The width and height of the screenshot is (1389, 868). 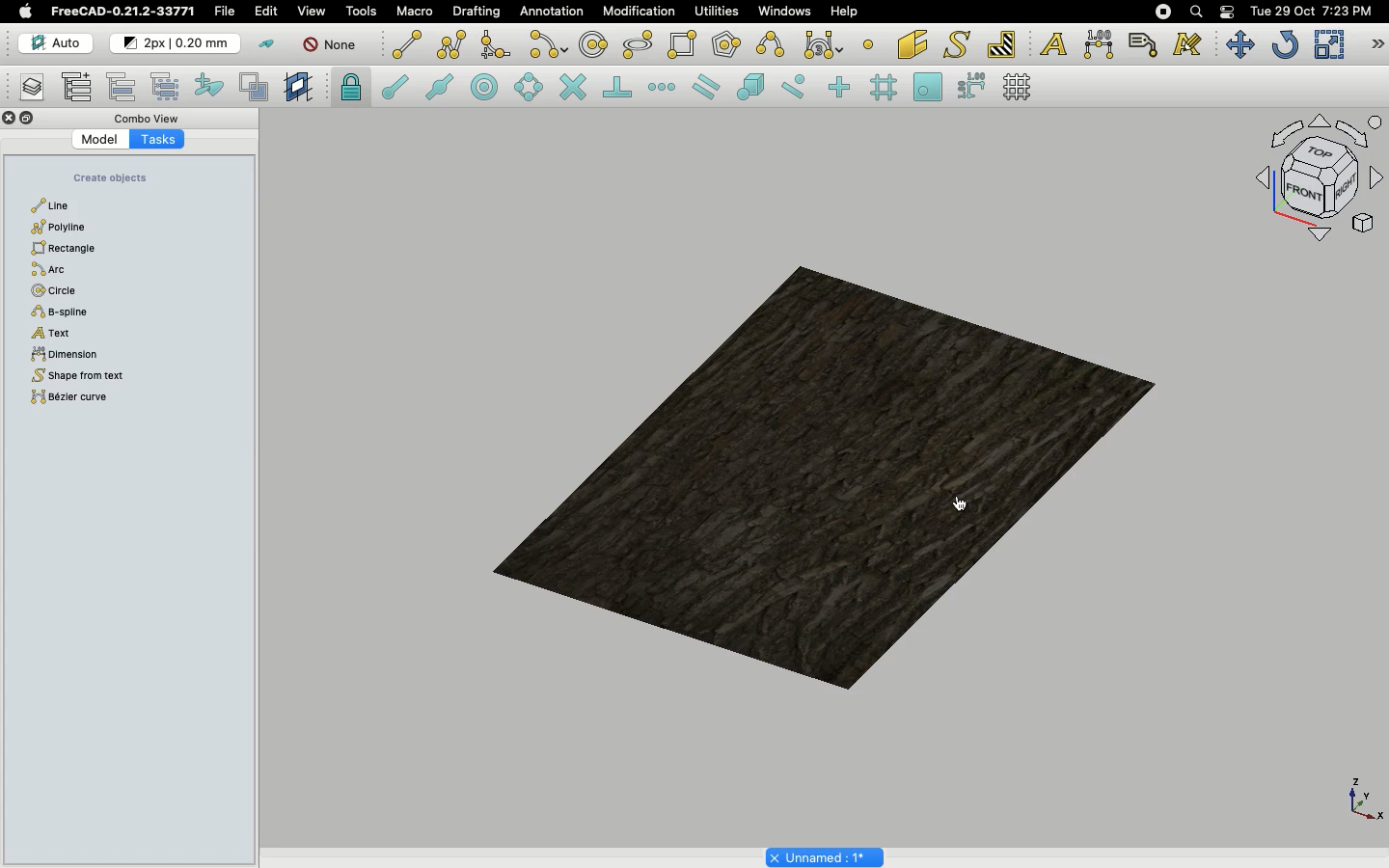 I want to click on Snap endpoint, so click(x=392, y=84).